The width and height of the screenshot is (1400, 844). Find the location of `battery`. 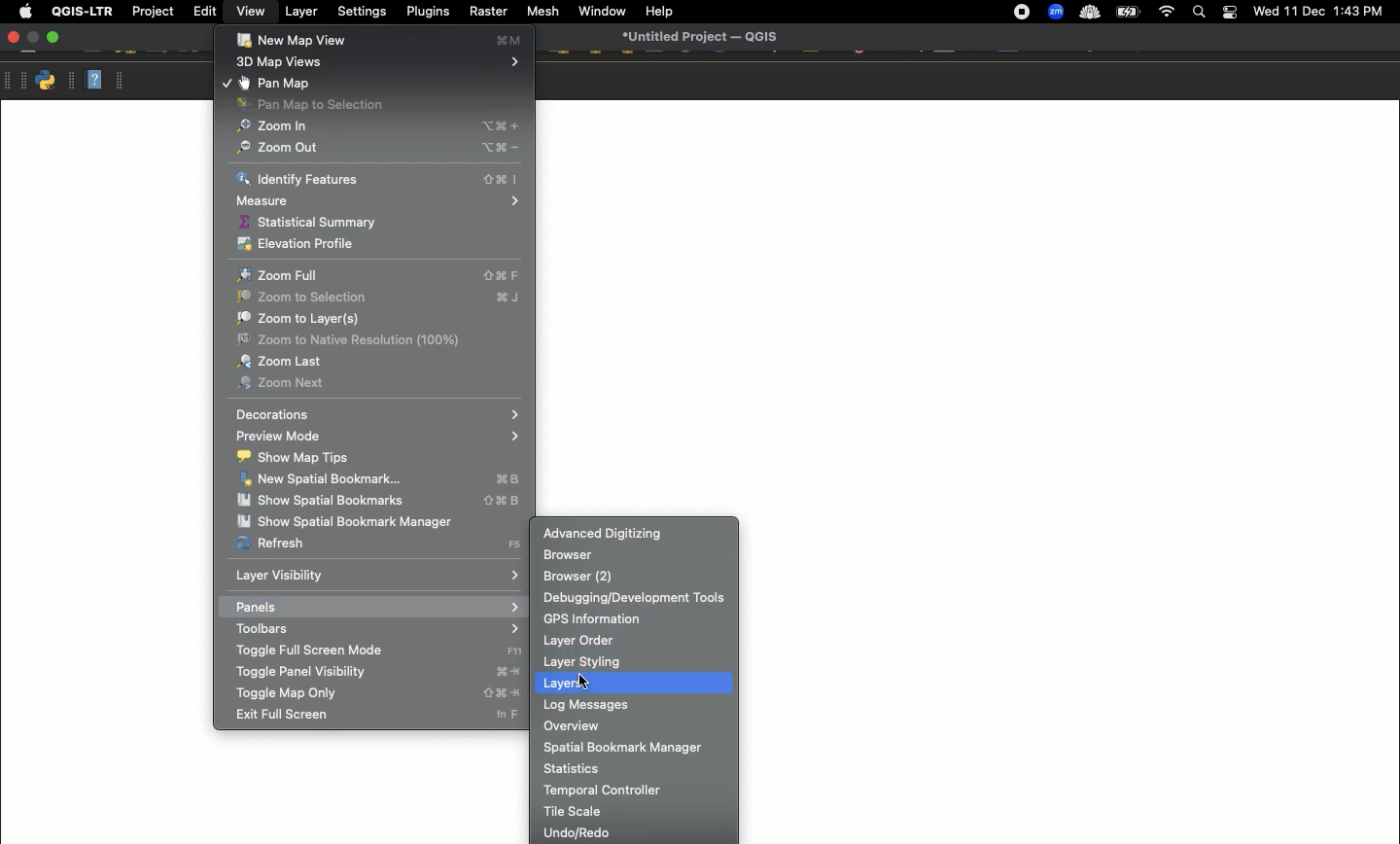

battery is located at coordinates (1132, 11).